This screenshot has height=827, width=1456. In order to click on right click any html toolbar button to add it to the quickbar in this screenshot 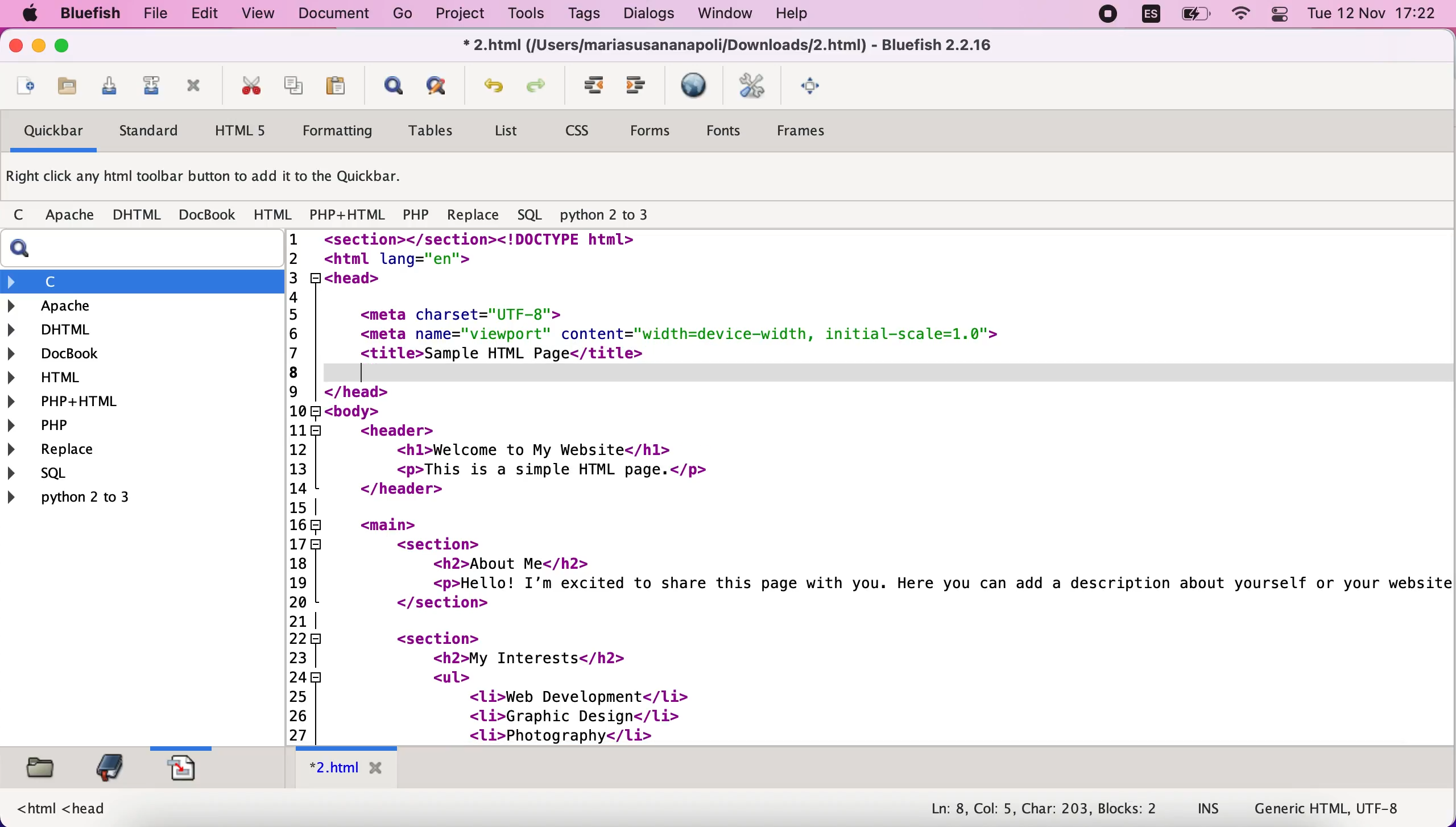, I will do `click(210, 177)`.